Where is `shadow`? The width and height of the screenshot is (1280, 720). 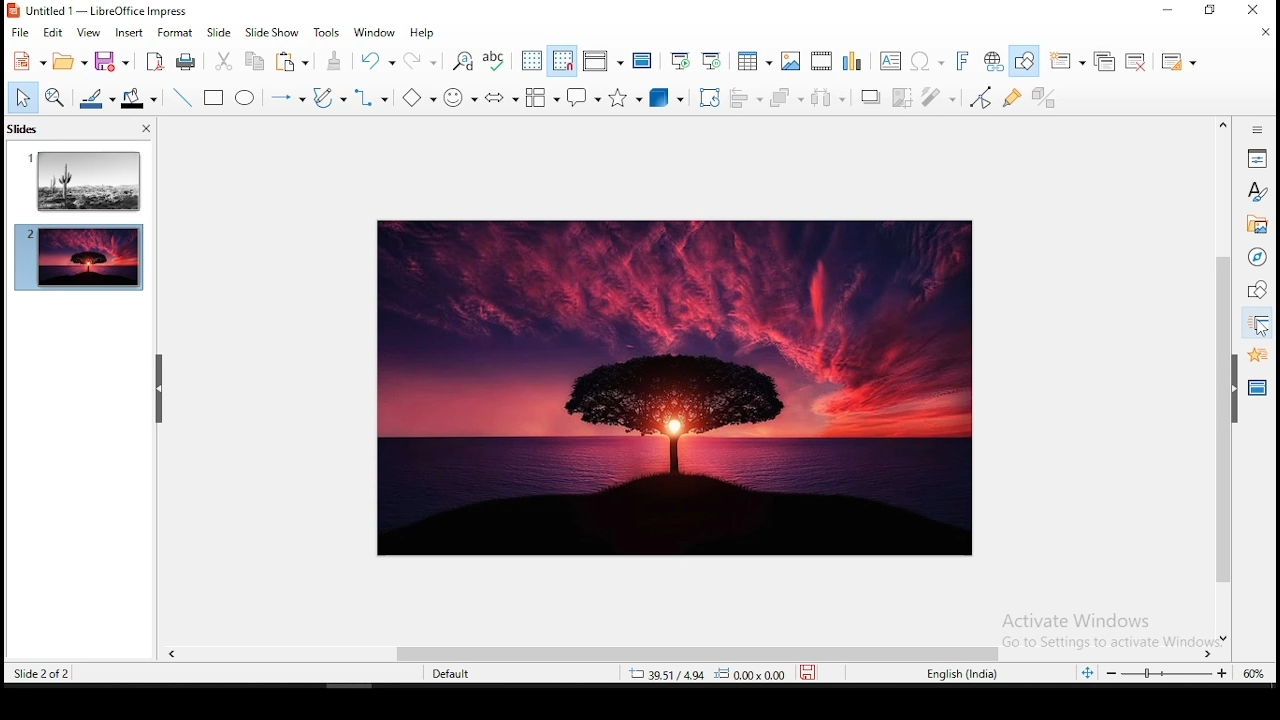
shadow is located at coordinates (870, 97).